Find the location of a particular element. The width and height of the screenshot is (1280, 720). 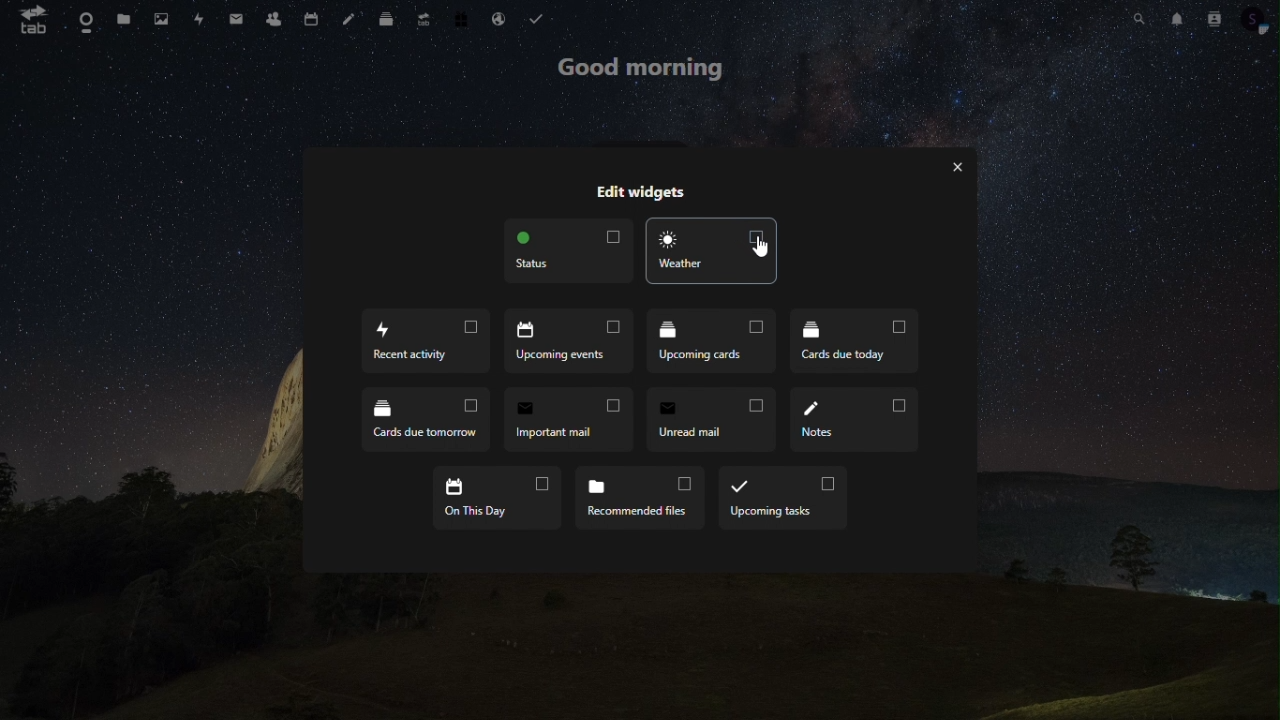

recommended files is located at coordinates (647, 492).